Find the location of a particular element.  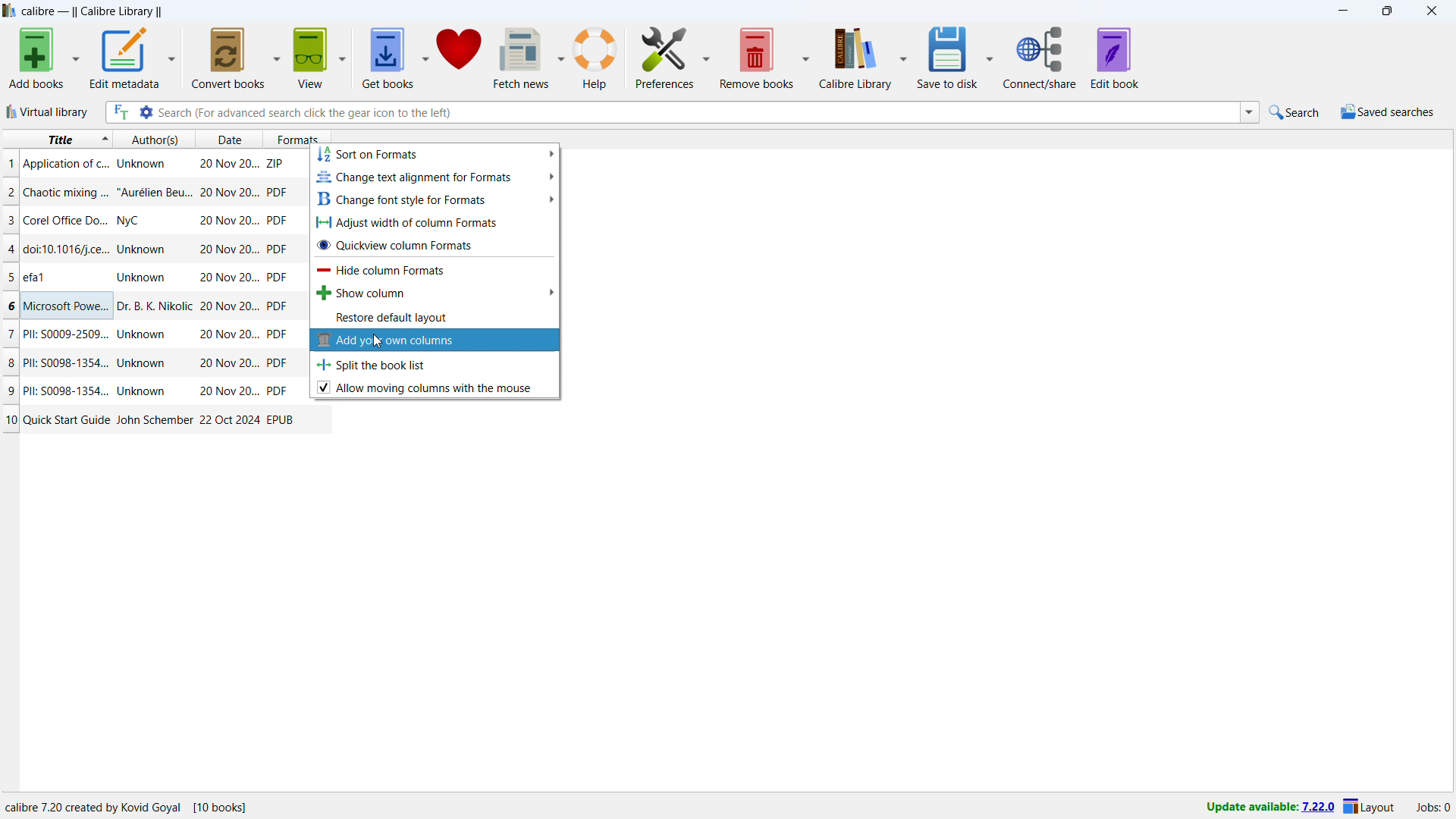

add books options is located at coordinates (77, 57).